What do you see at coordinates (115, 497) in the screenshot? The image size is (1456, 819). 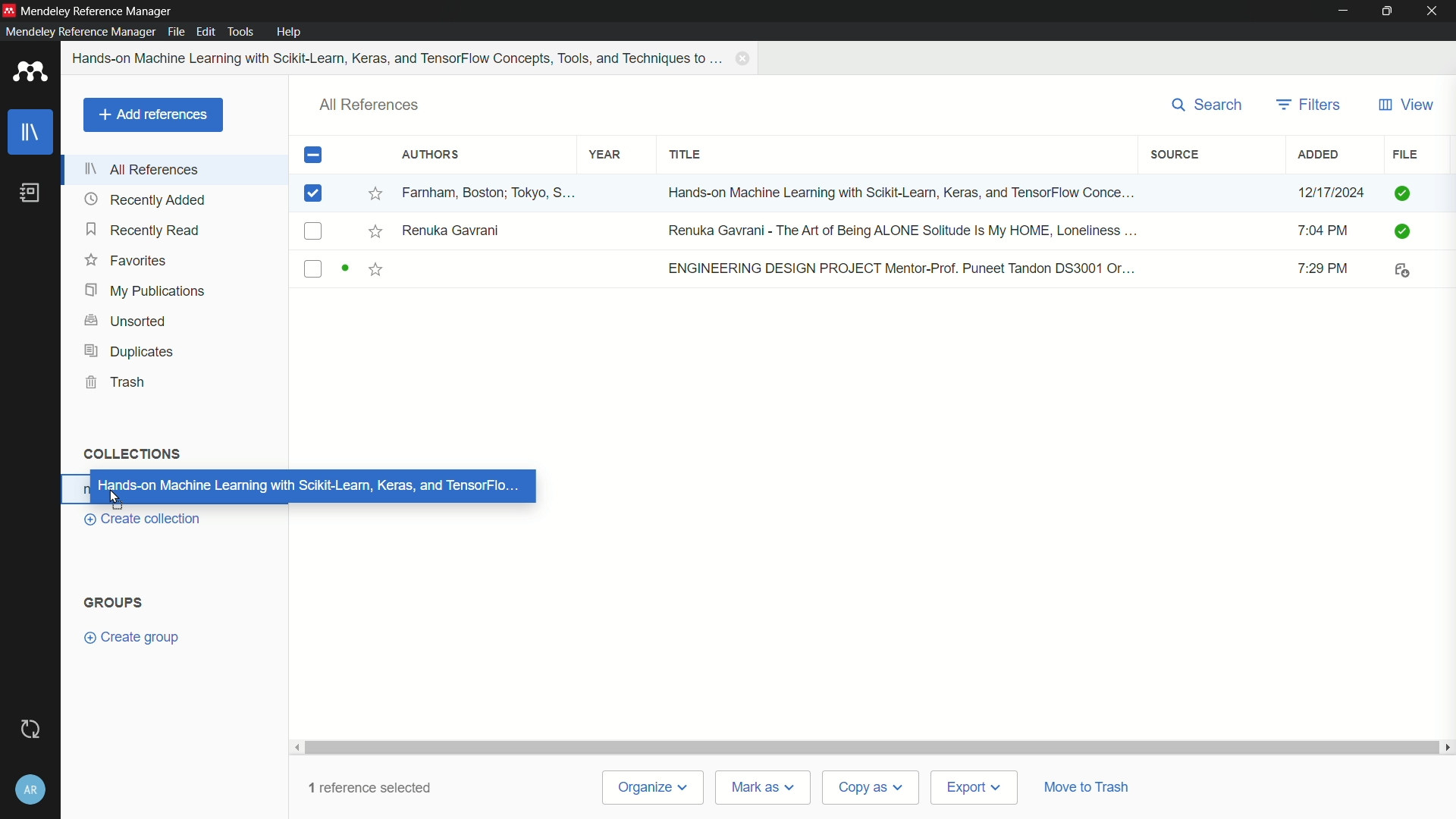 I see `cursor` at bounding box center [115, 497].